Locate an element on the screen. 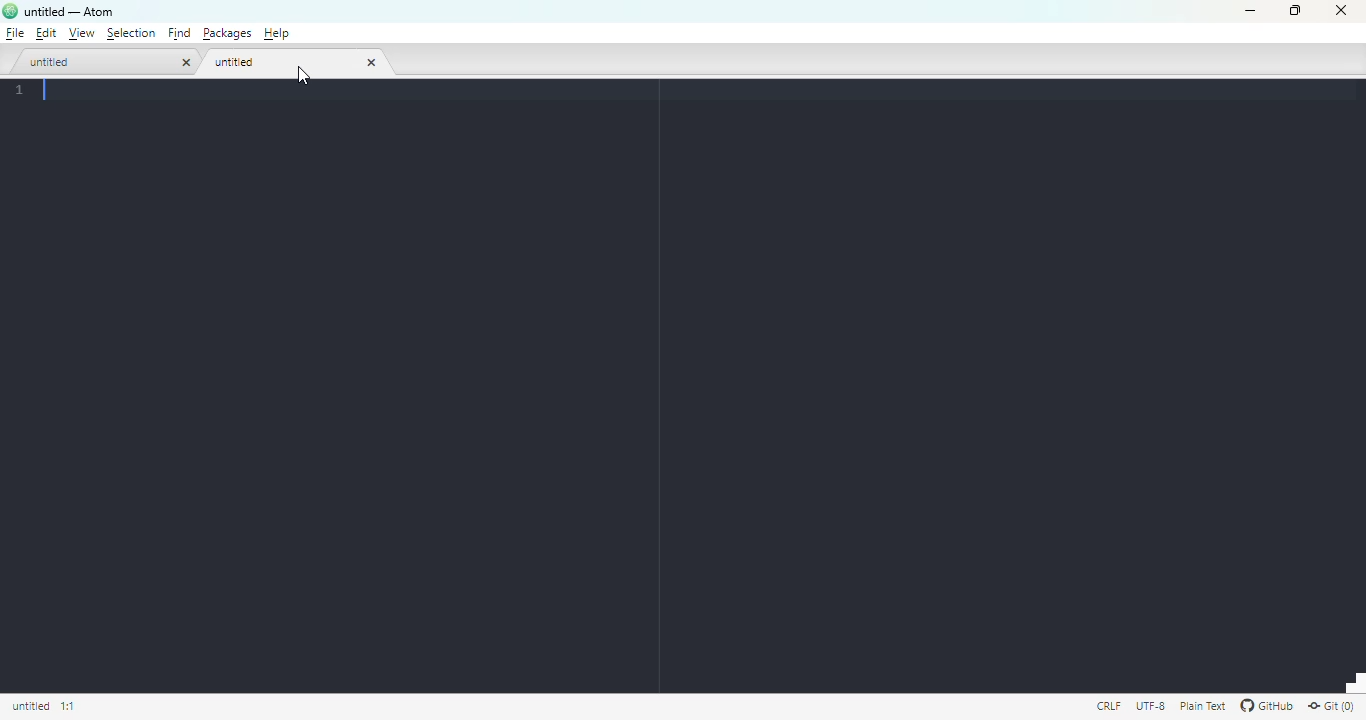 This screenshot has width=1366, height=720. git(0) is located at coordinates (1332, 706).